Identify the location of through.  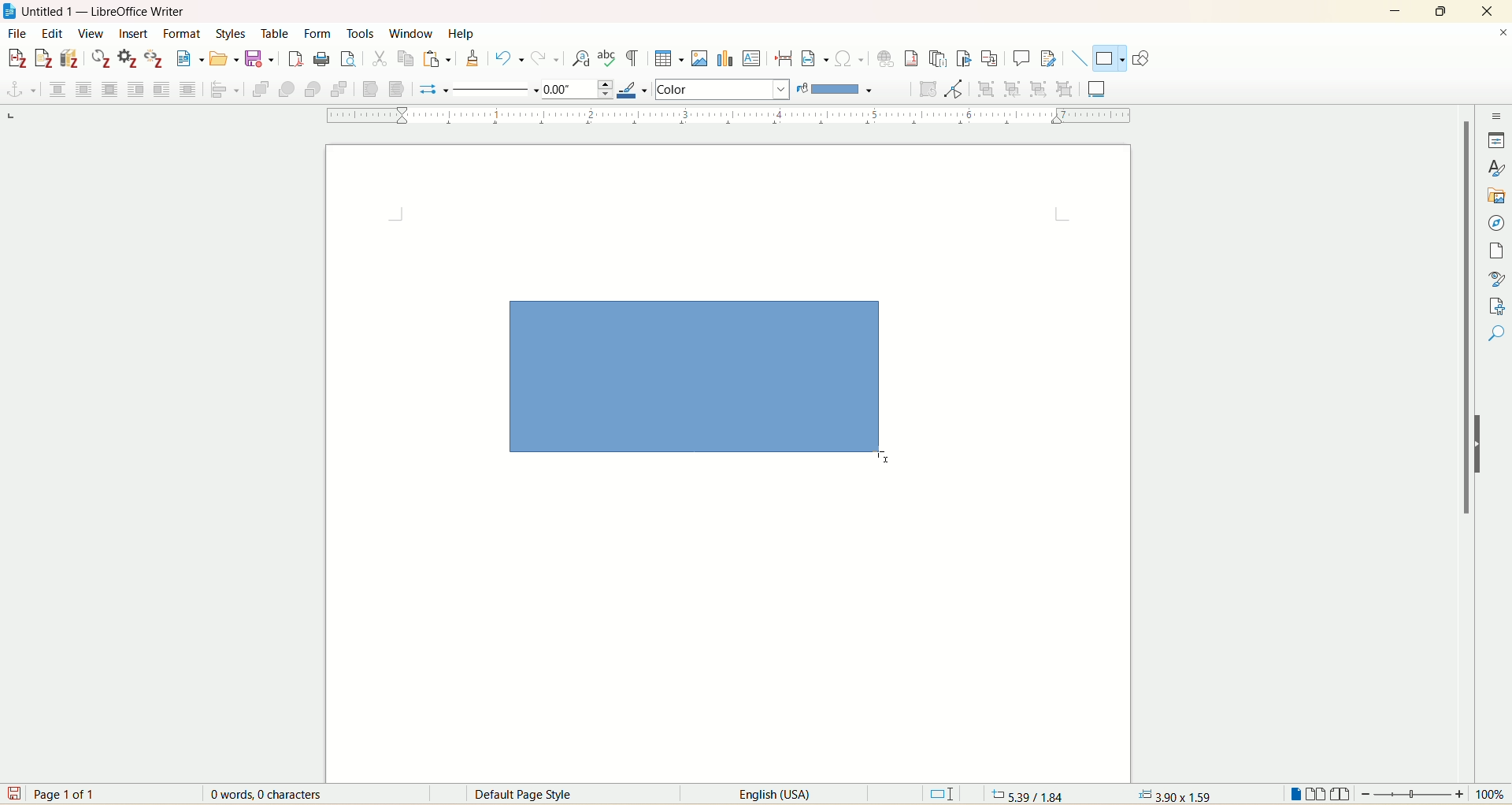
(188, 88).